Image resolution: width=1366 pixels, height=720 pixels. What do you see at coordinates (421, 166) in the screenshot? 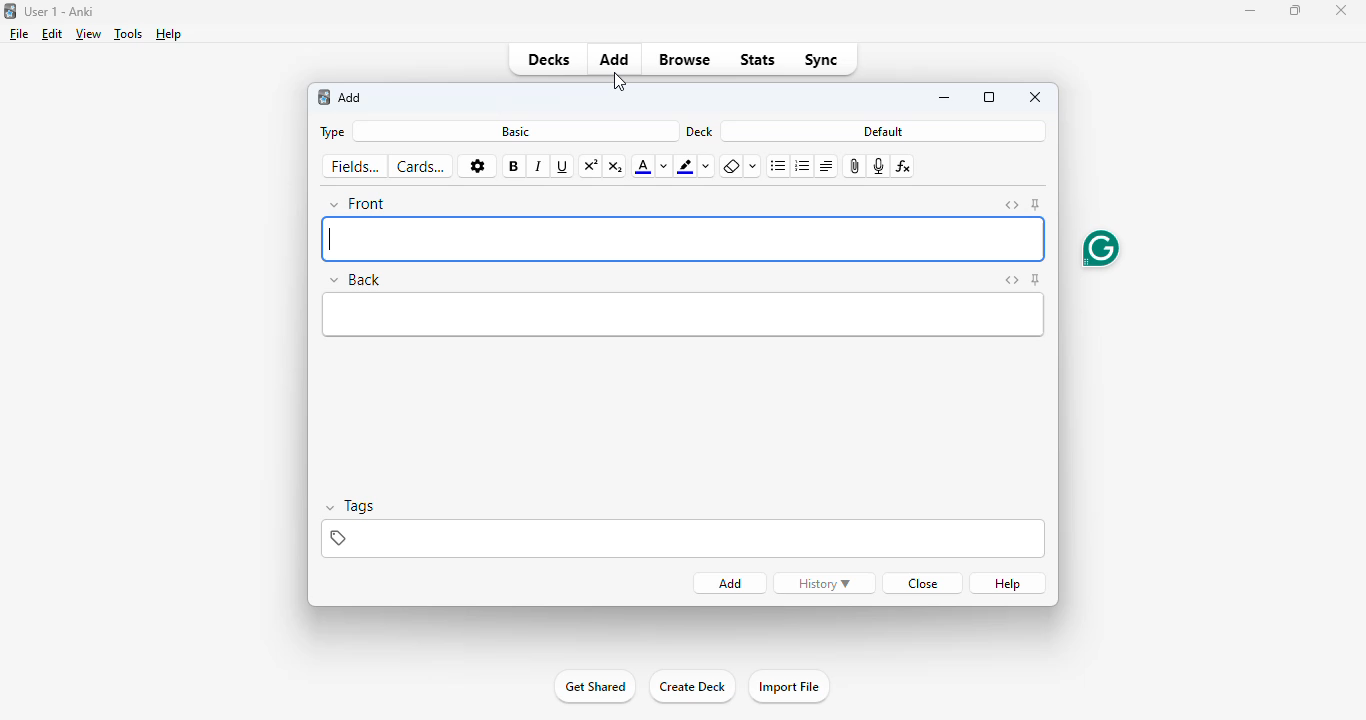
I see `cards` at bounding box center [421, 166].